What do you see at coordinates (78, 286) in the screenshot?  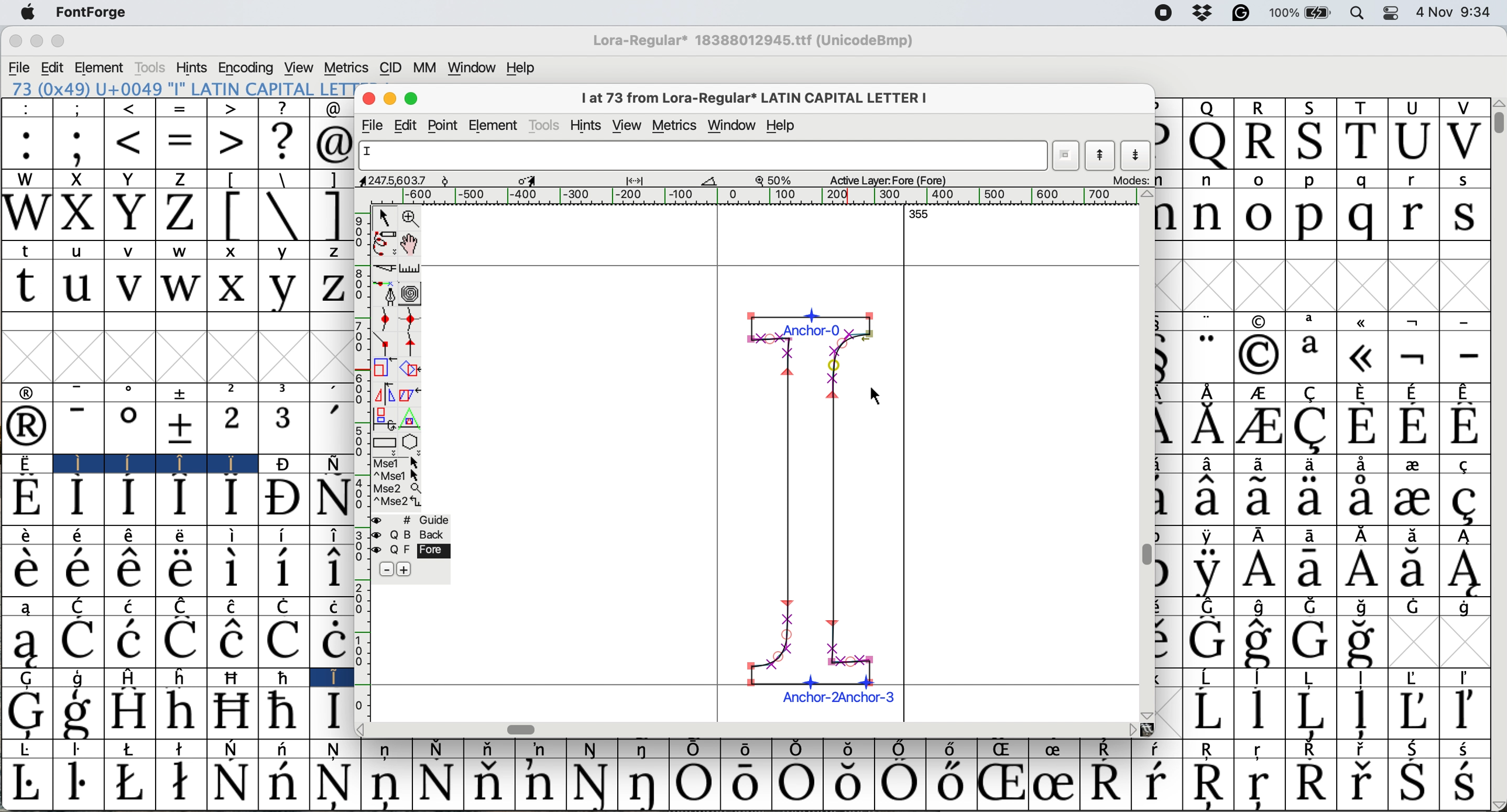 I see `u` at bounding box center [78, 286].